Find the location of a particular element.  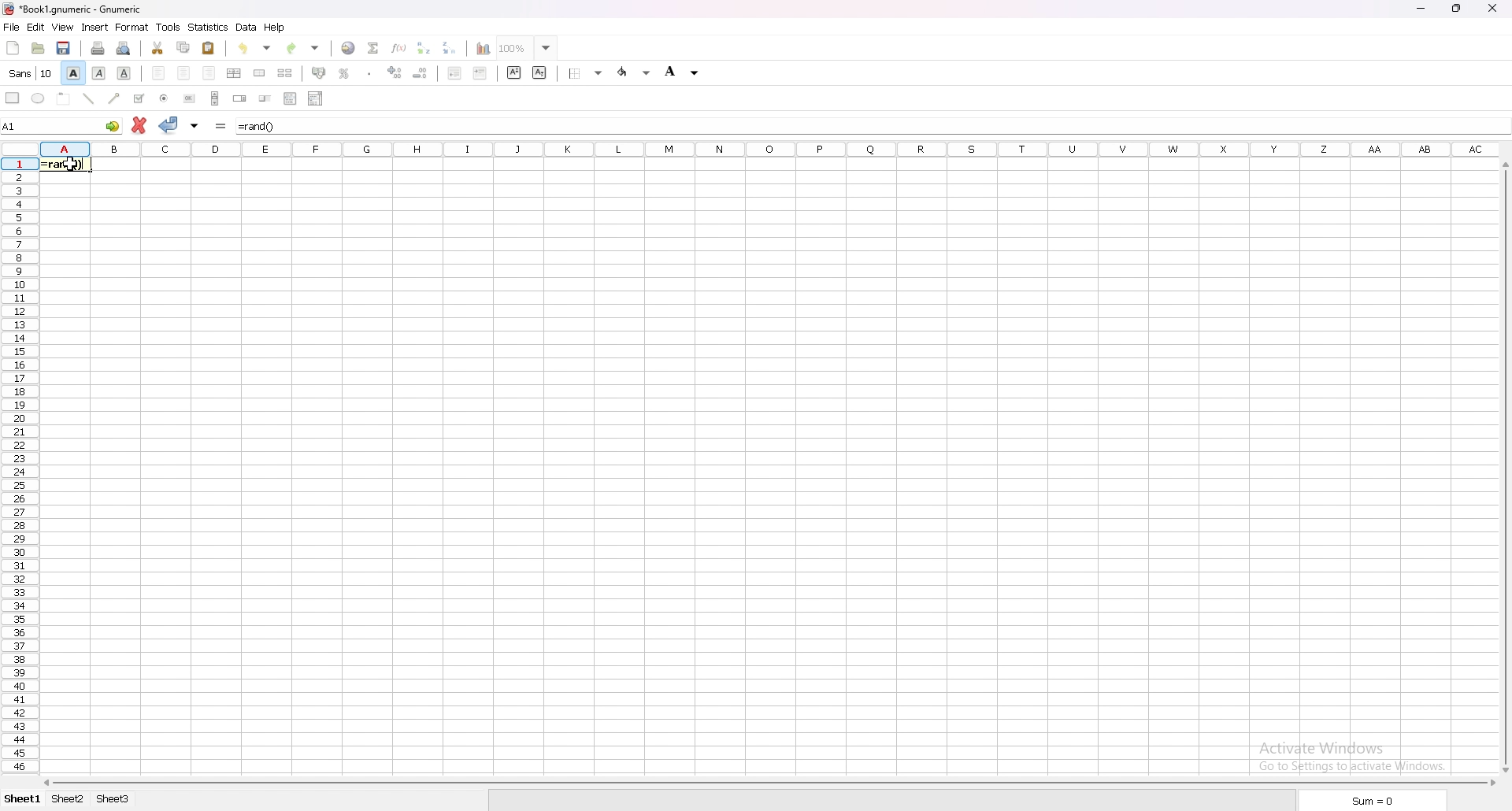

zoom is located at coordinates (527, 48).